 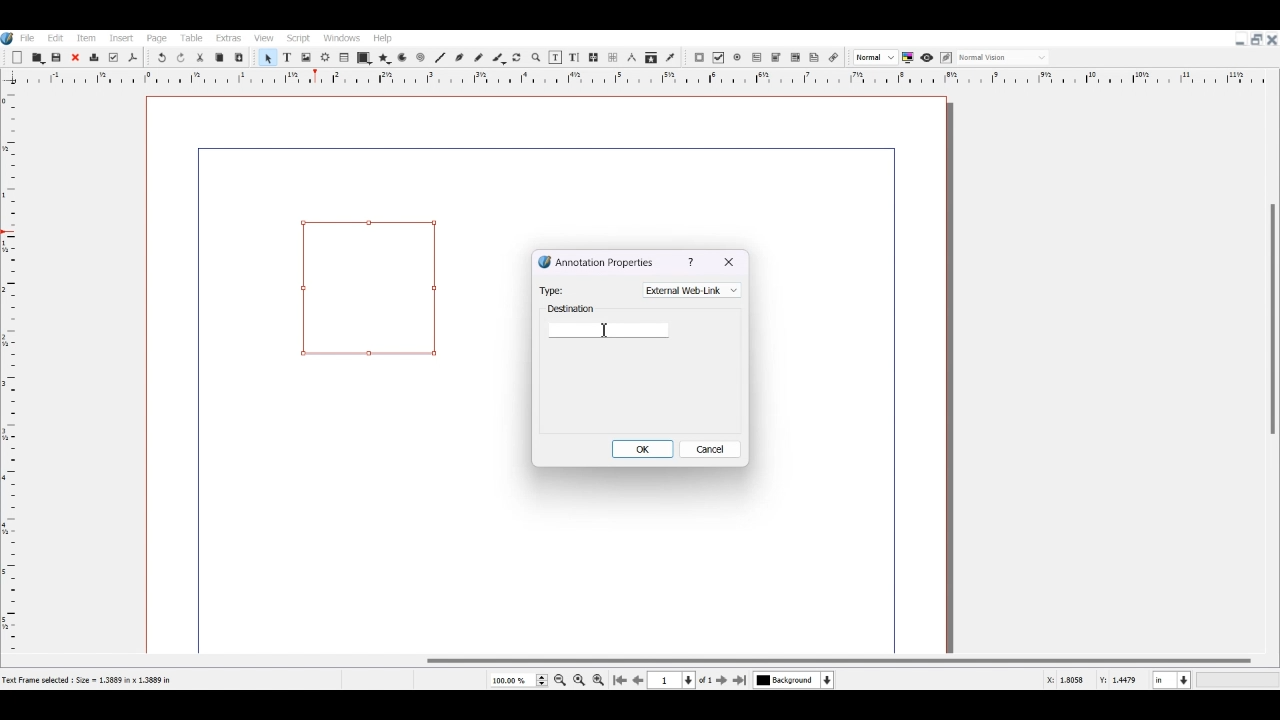 What do you see at coordinates (739, 58) in the screenshot?
I see `PDF Radio Button ` at bounding box center [739, 58].